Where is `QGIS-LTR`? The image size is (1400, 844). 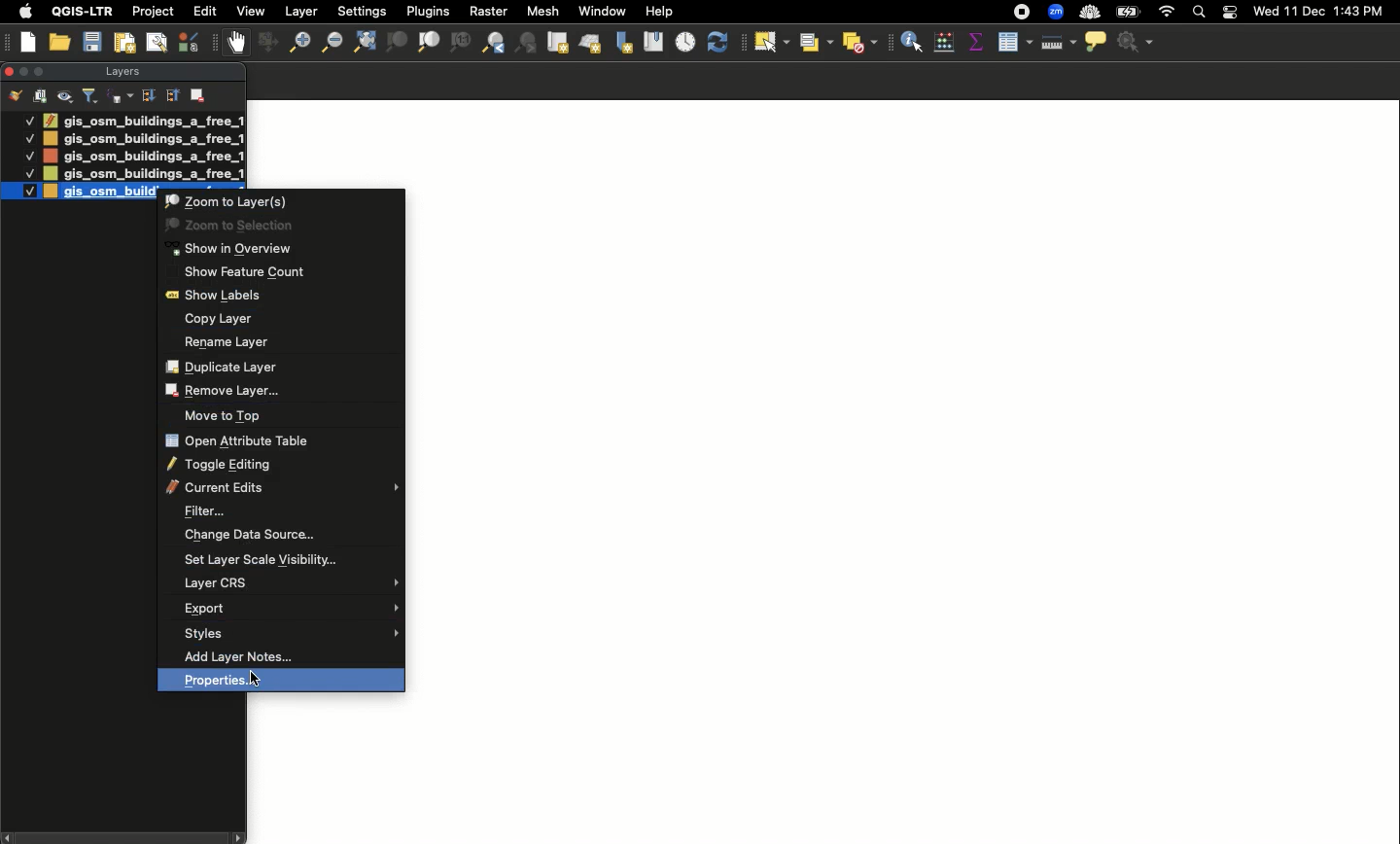 QGIS-LTR is located at coordinates (83, 11).